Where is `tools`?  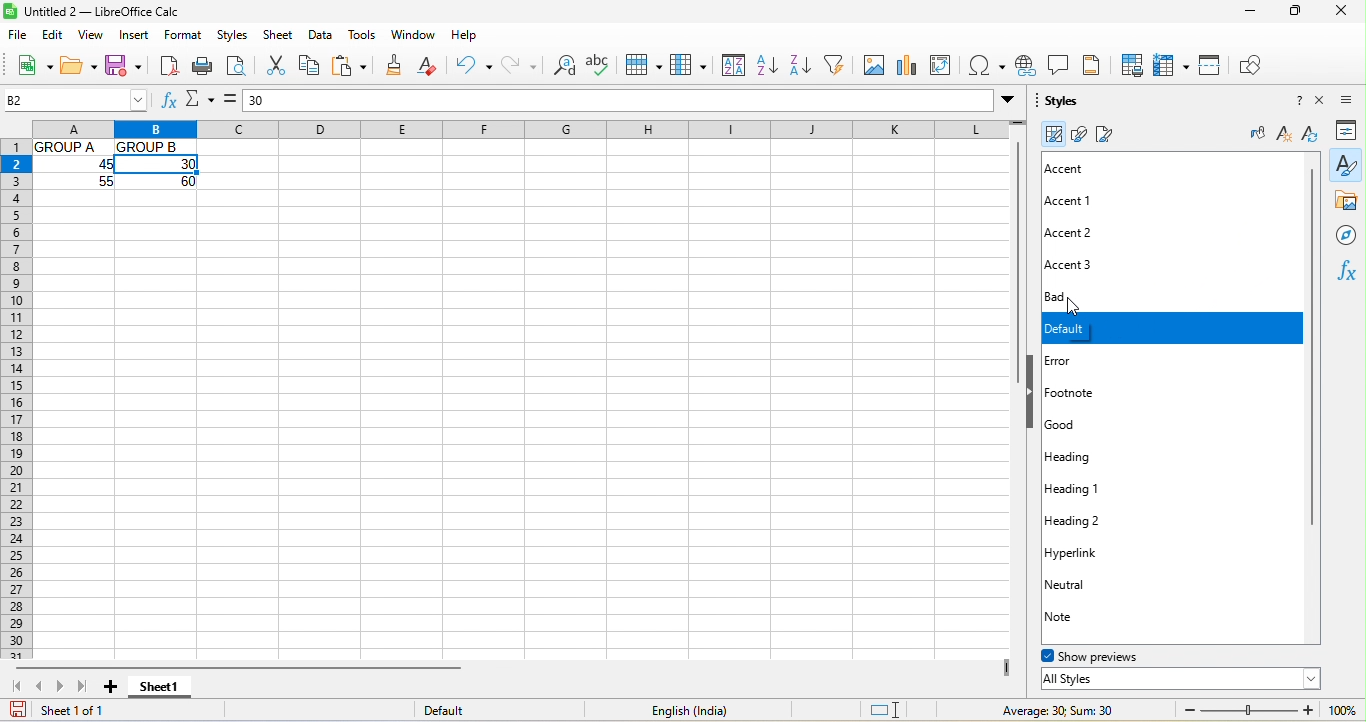 tools is located at coordinates (365, 35).